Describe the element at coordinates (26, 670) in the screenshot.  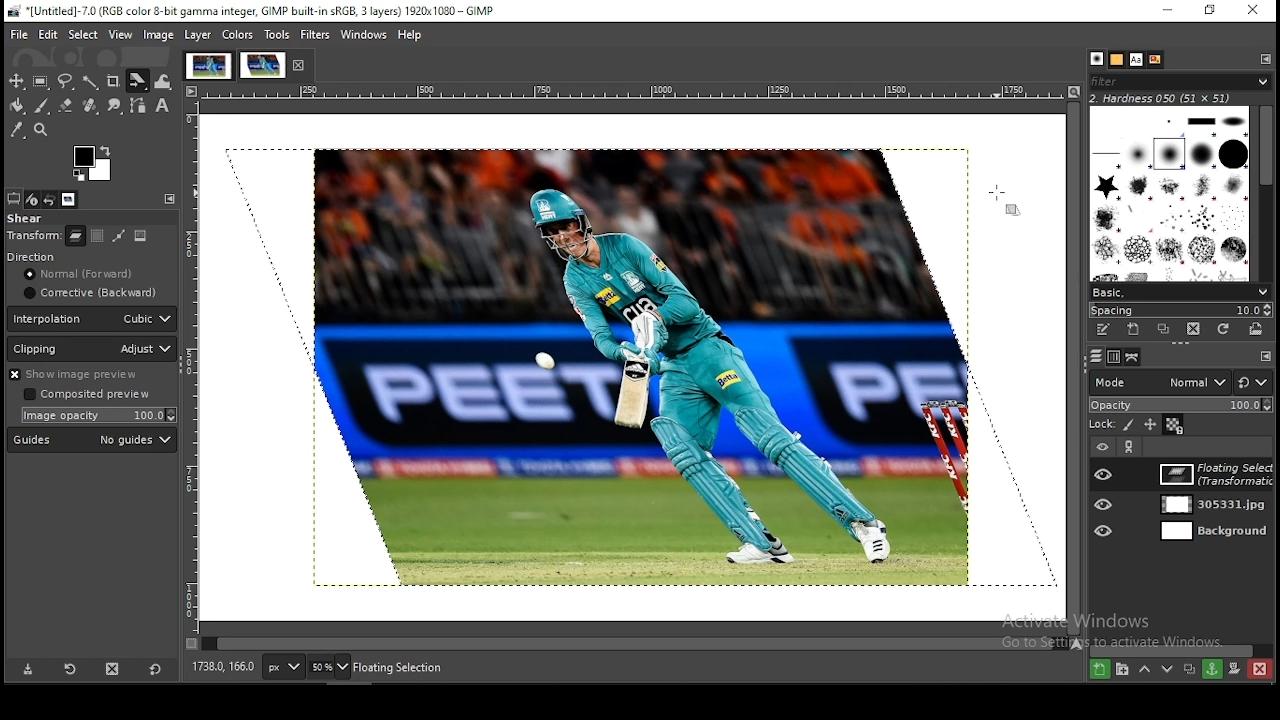
I see `save tool preset` at that location.